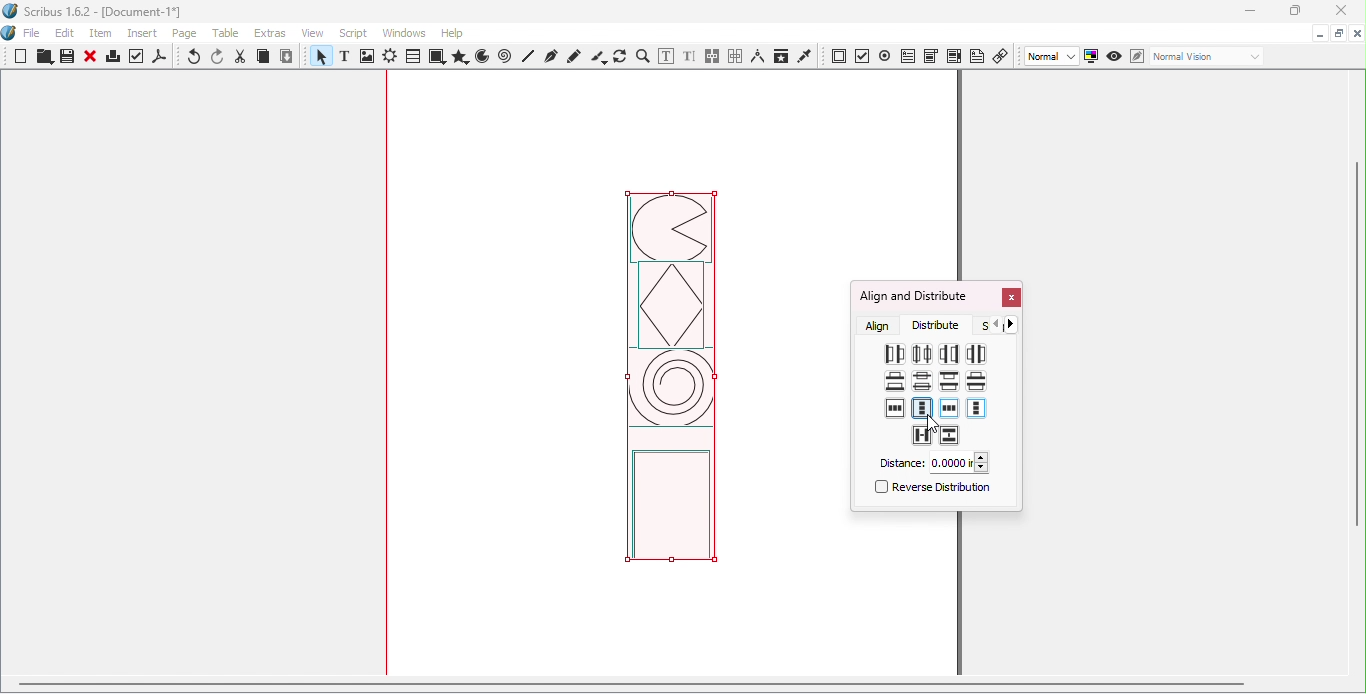 The height and width of the screenshot is (694, 1366). Describe the element at coordinates (839, 57) in the screenshot. I see `PDF push button` at that location.